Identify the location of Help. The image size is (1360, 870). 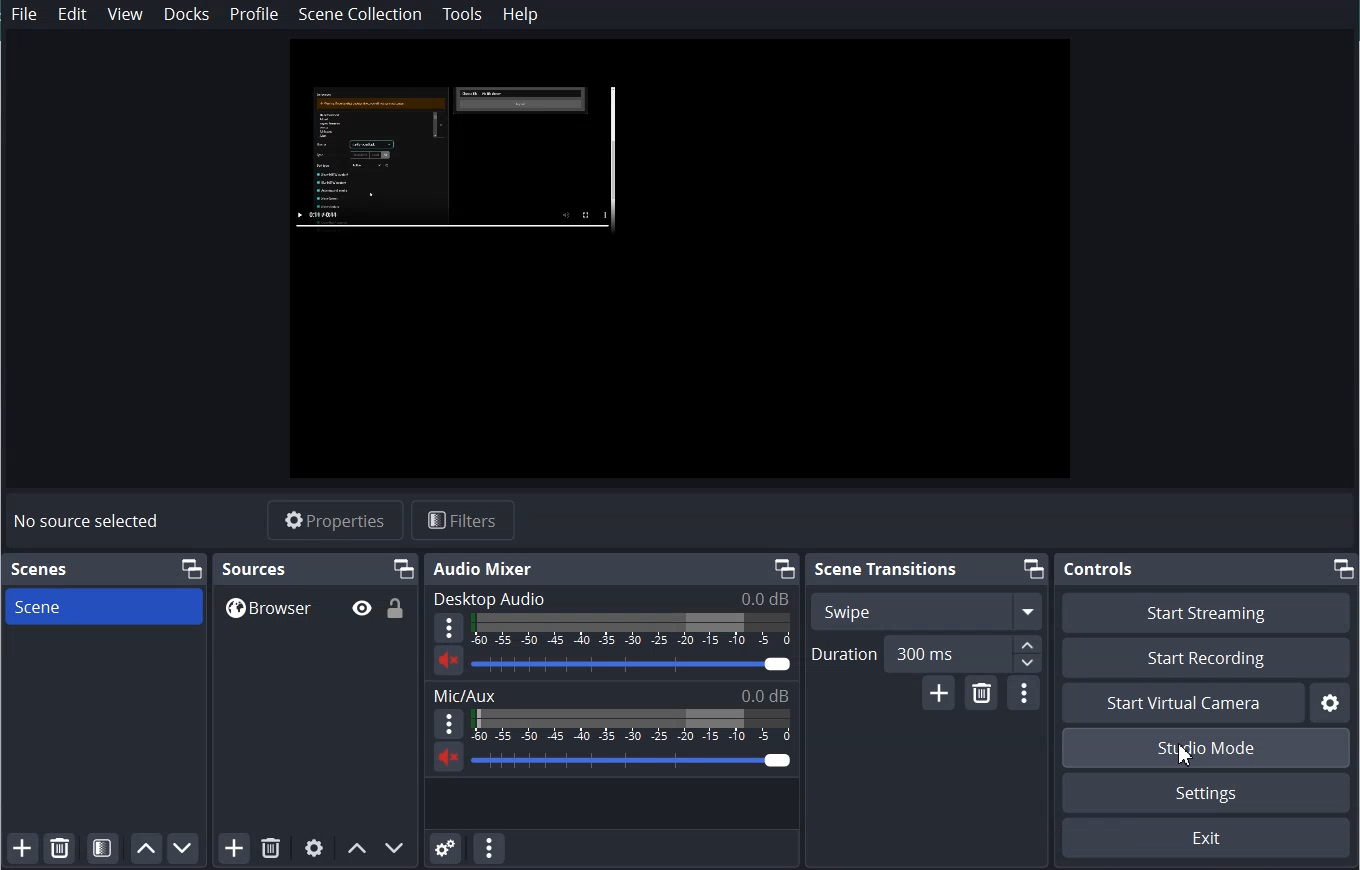
(521, 14).